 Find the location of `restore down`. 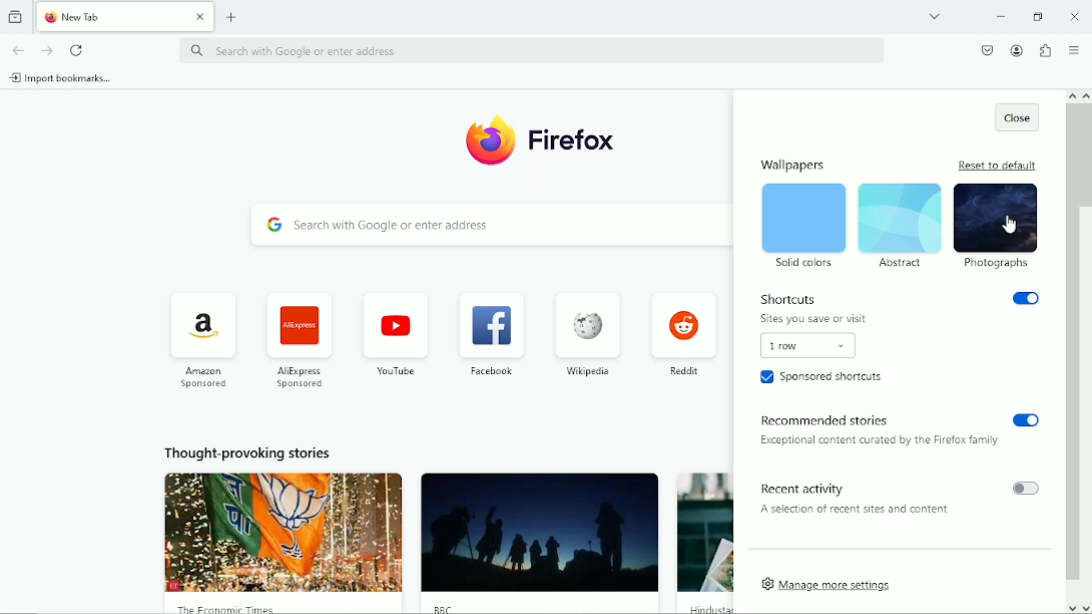

restore down is located at coordinates (1040, 15).